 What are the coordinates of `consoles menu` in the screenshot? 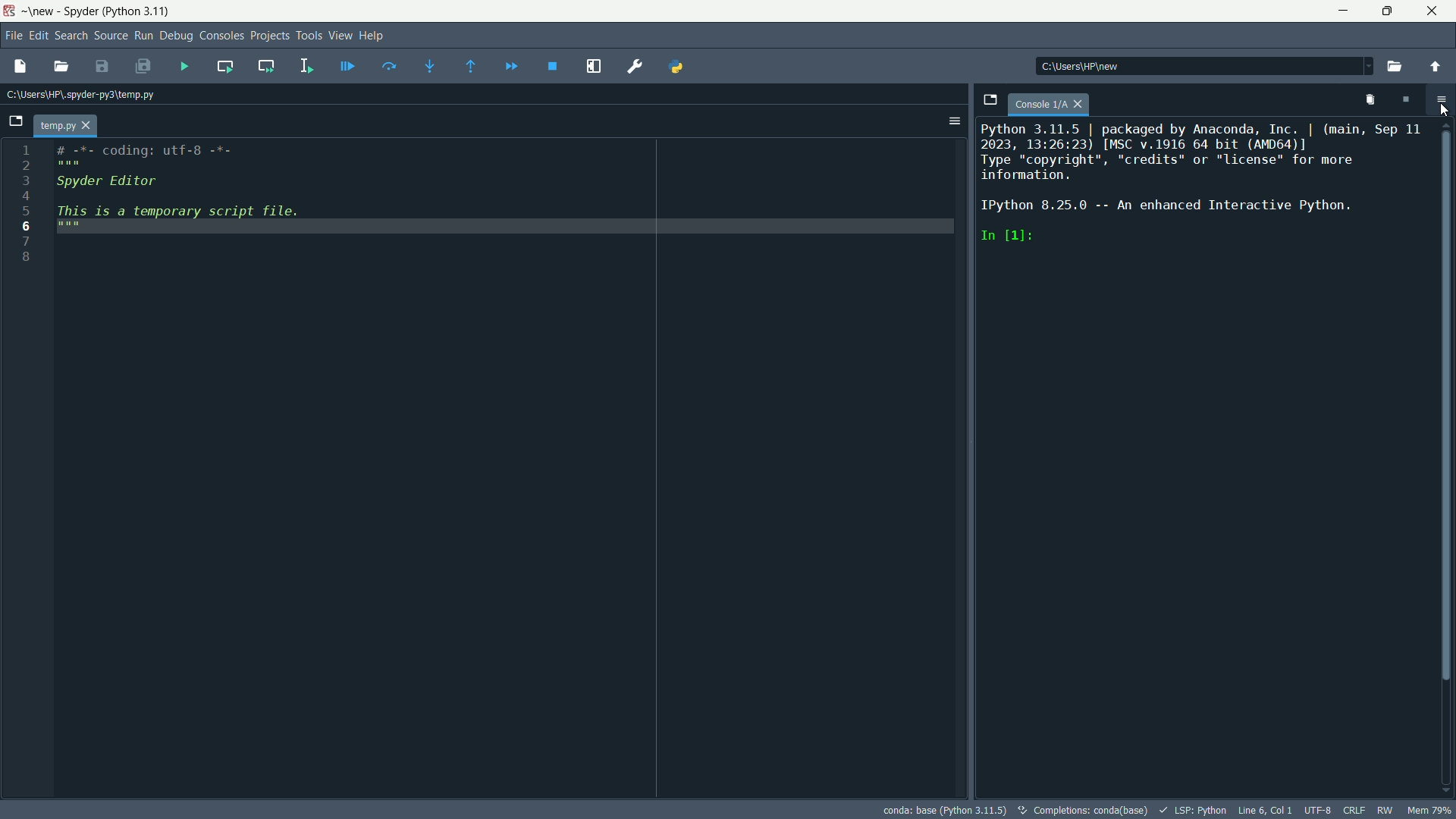 It's located at (221, 35).